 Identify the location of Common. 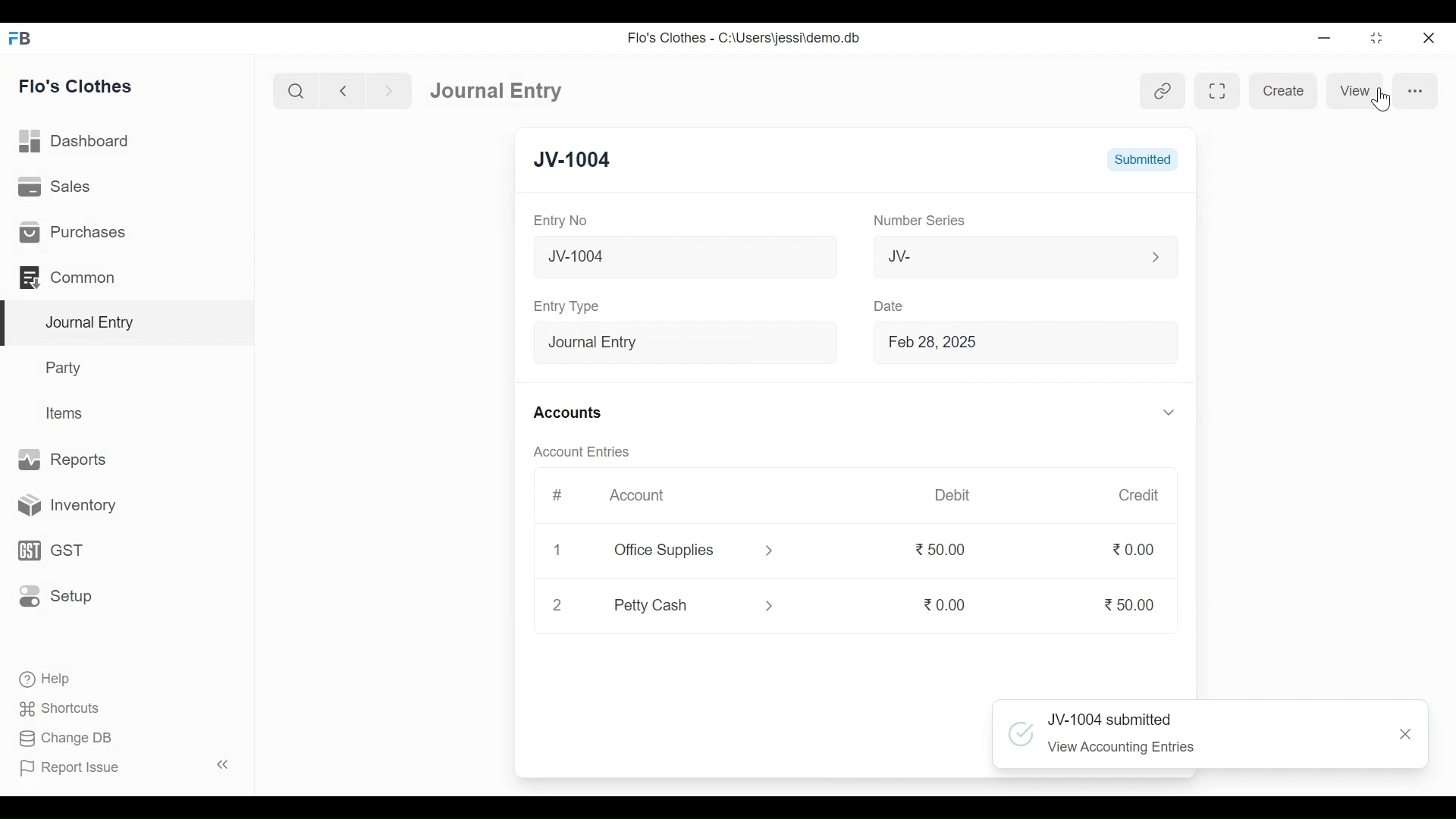
(70, 277).